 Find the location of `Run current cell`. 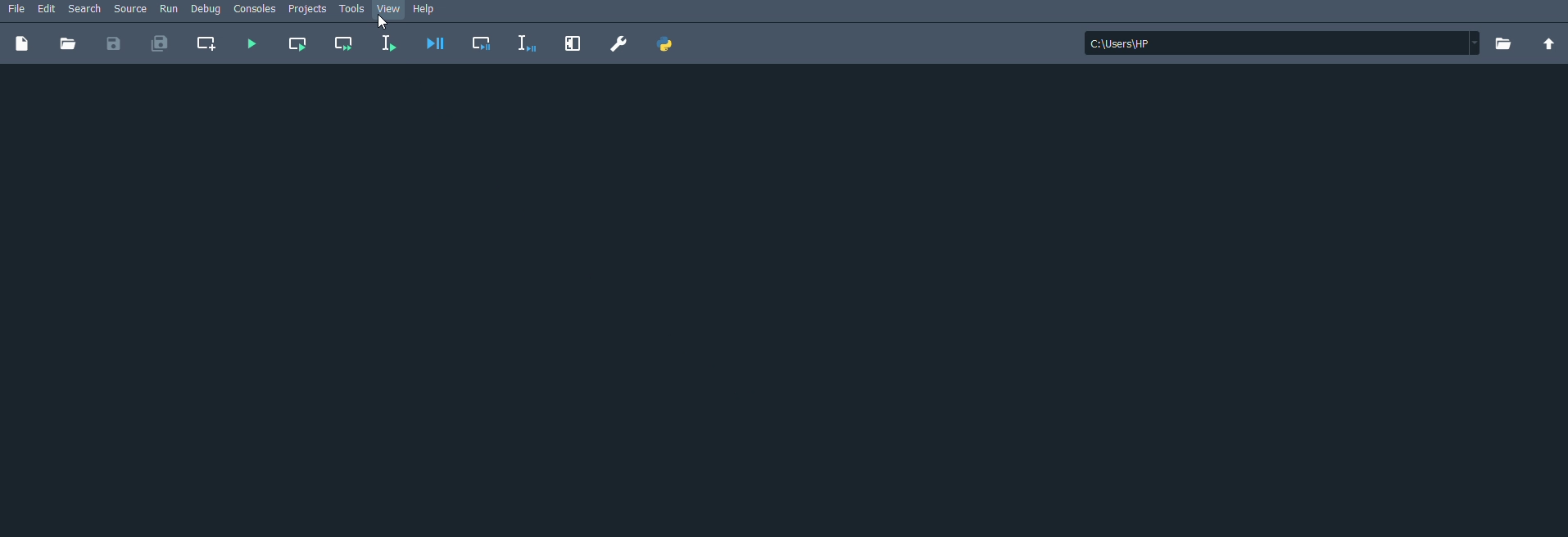

Run current cell is located at coordinates (297, 45).